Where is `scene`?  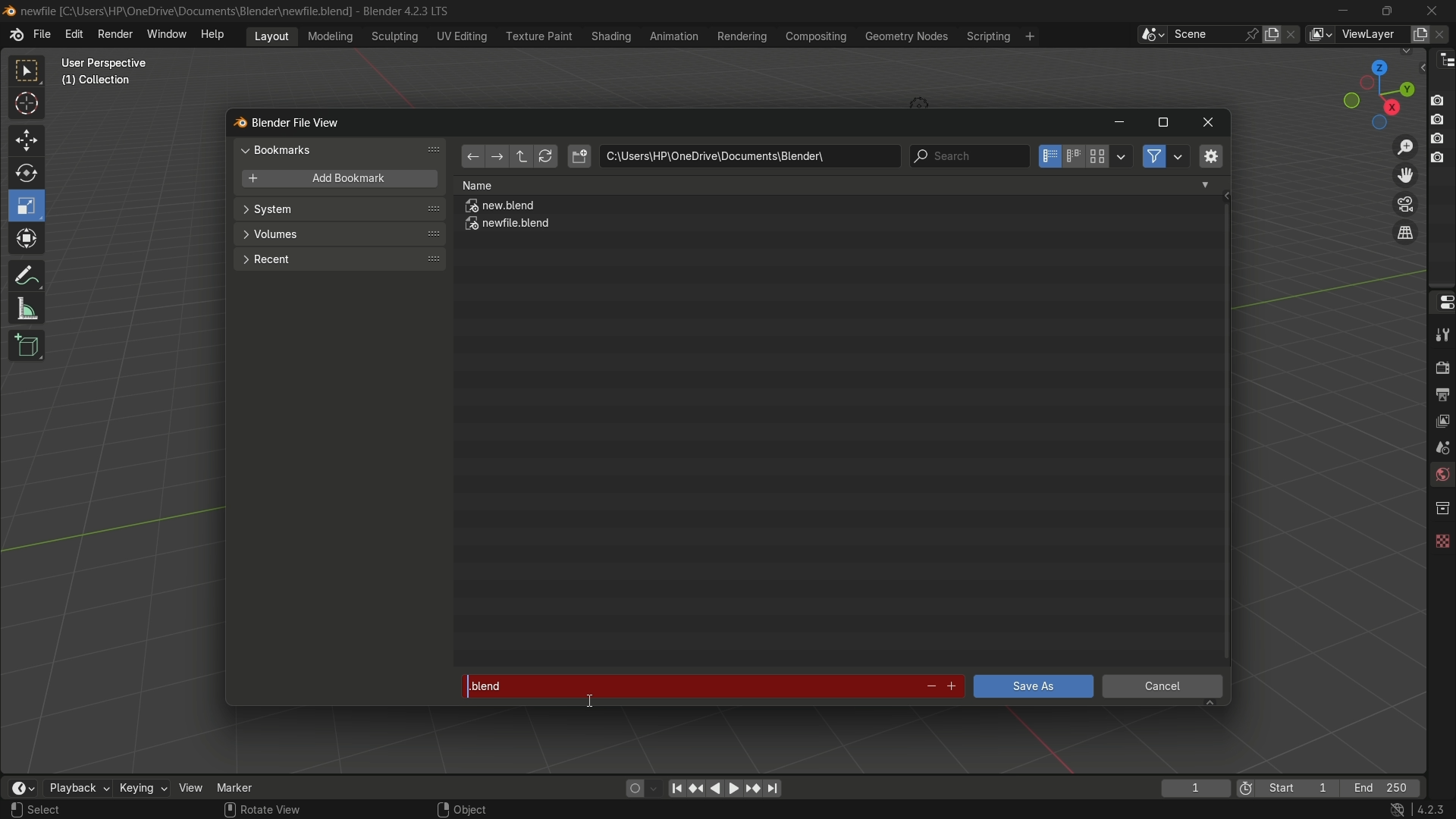
scene is located at coordinates (1439, 447).